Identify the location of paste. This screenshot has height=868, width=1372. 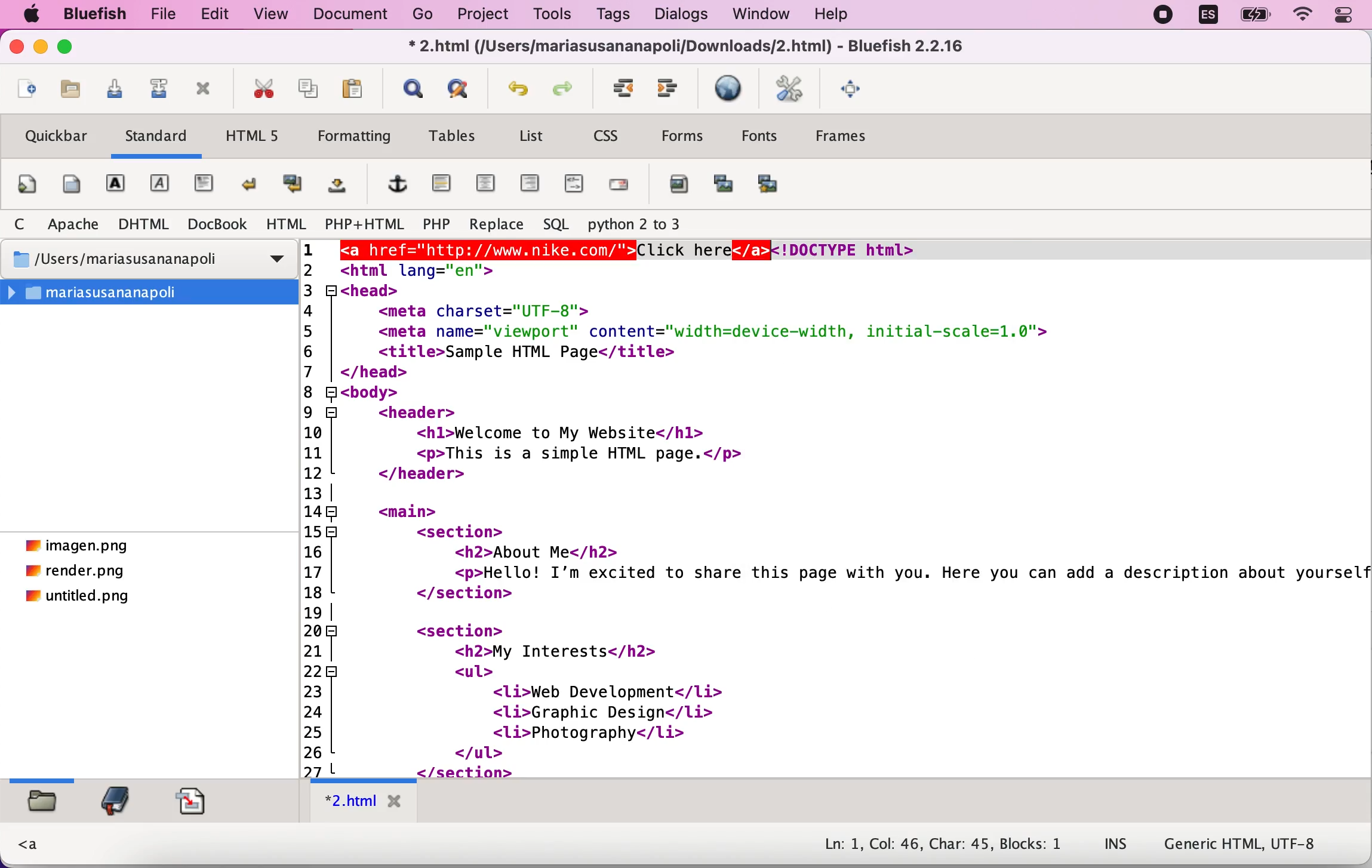
(361, 86).